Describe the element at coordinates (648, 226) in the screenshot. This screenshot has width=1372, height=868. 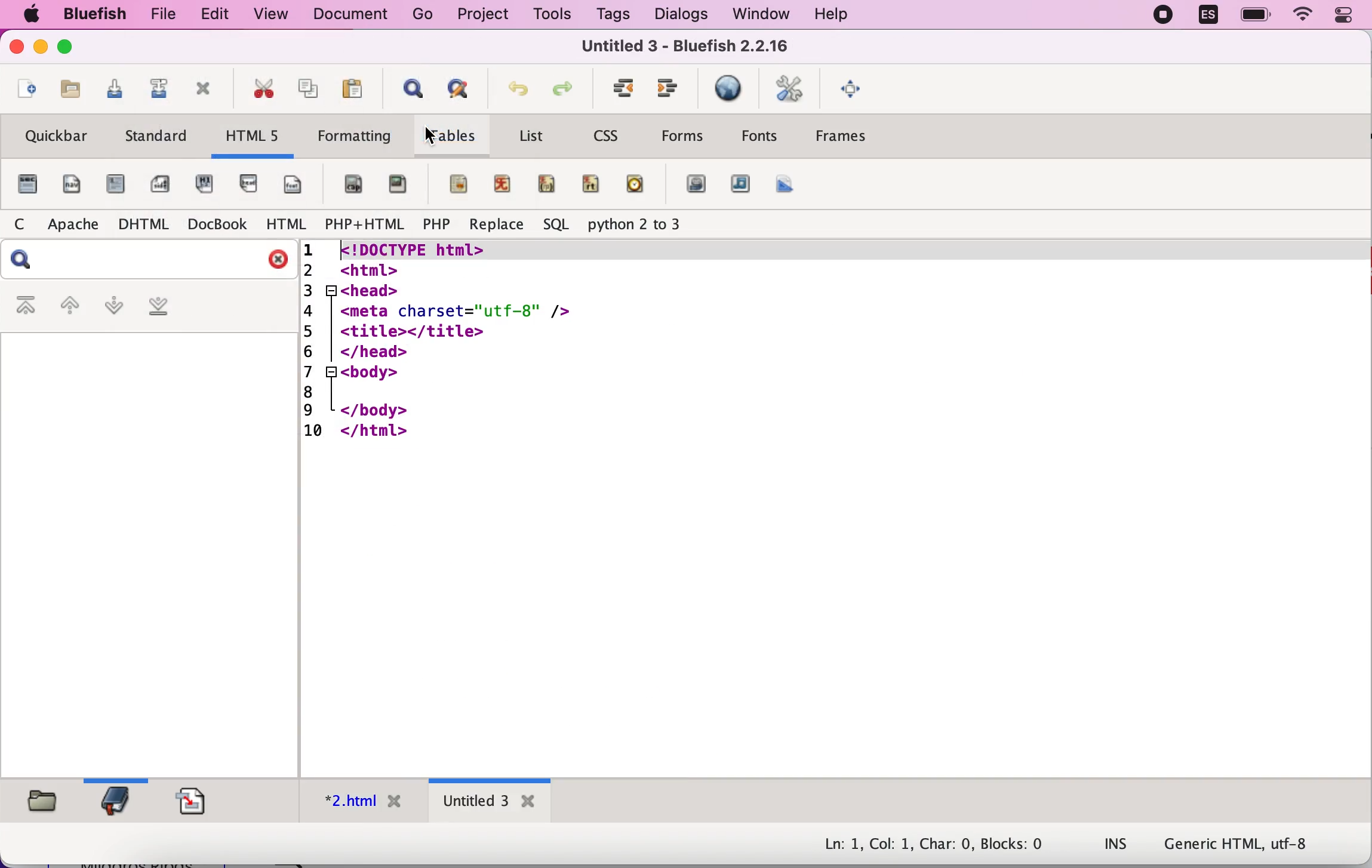
I see `python 2 to 3` at that location.